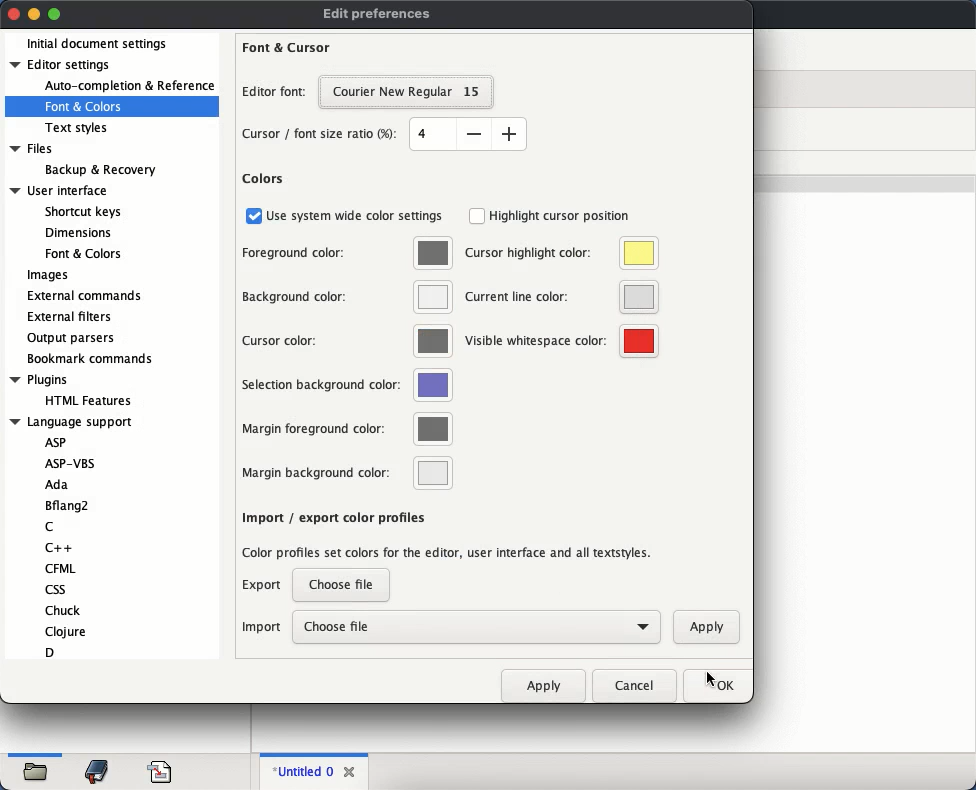 The image size is (976, 790). I want to click on cursor font size ratio, so click(323, 136).